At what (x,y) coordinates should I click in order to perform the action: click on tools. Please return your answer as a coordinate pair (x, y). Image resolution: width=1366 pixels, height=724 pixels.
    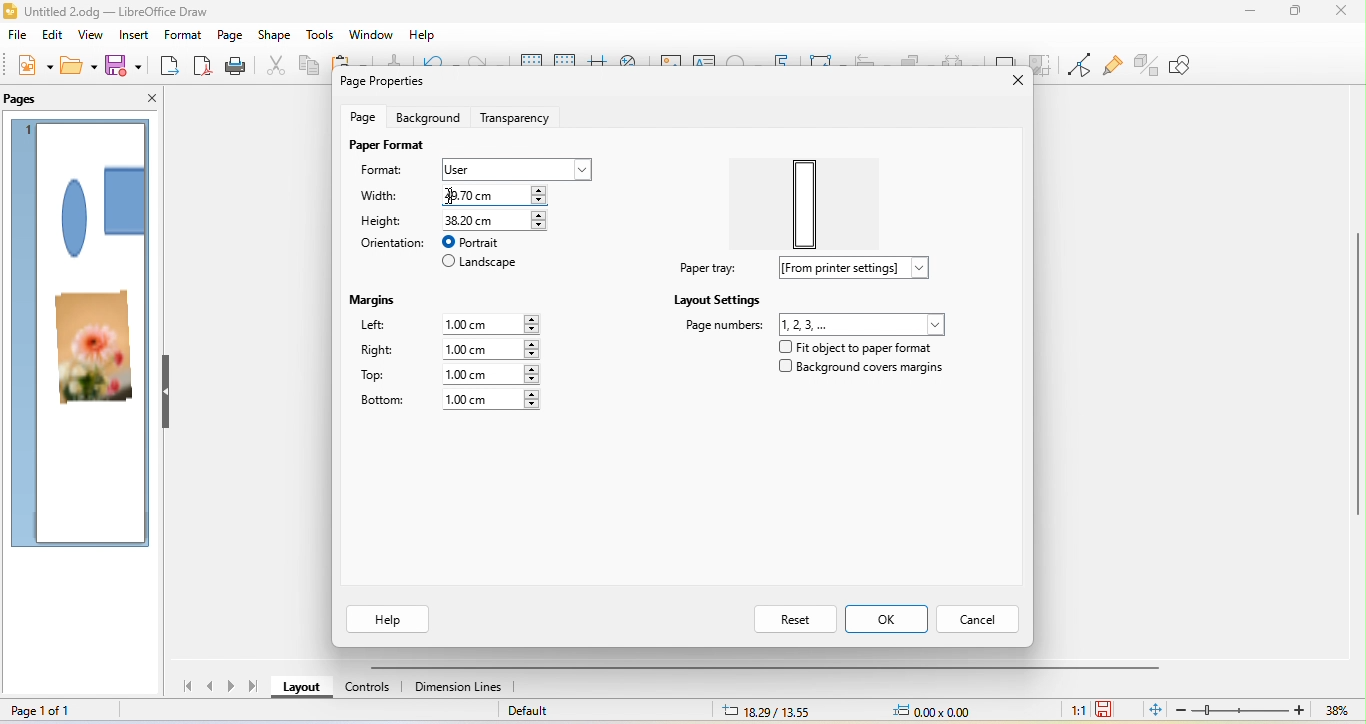
    Looking at the image, I should click on (320, 33).